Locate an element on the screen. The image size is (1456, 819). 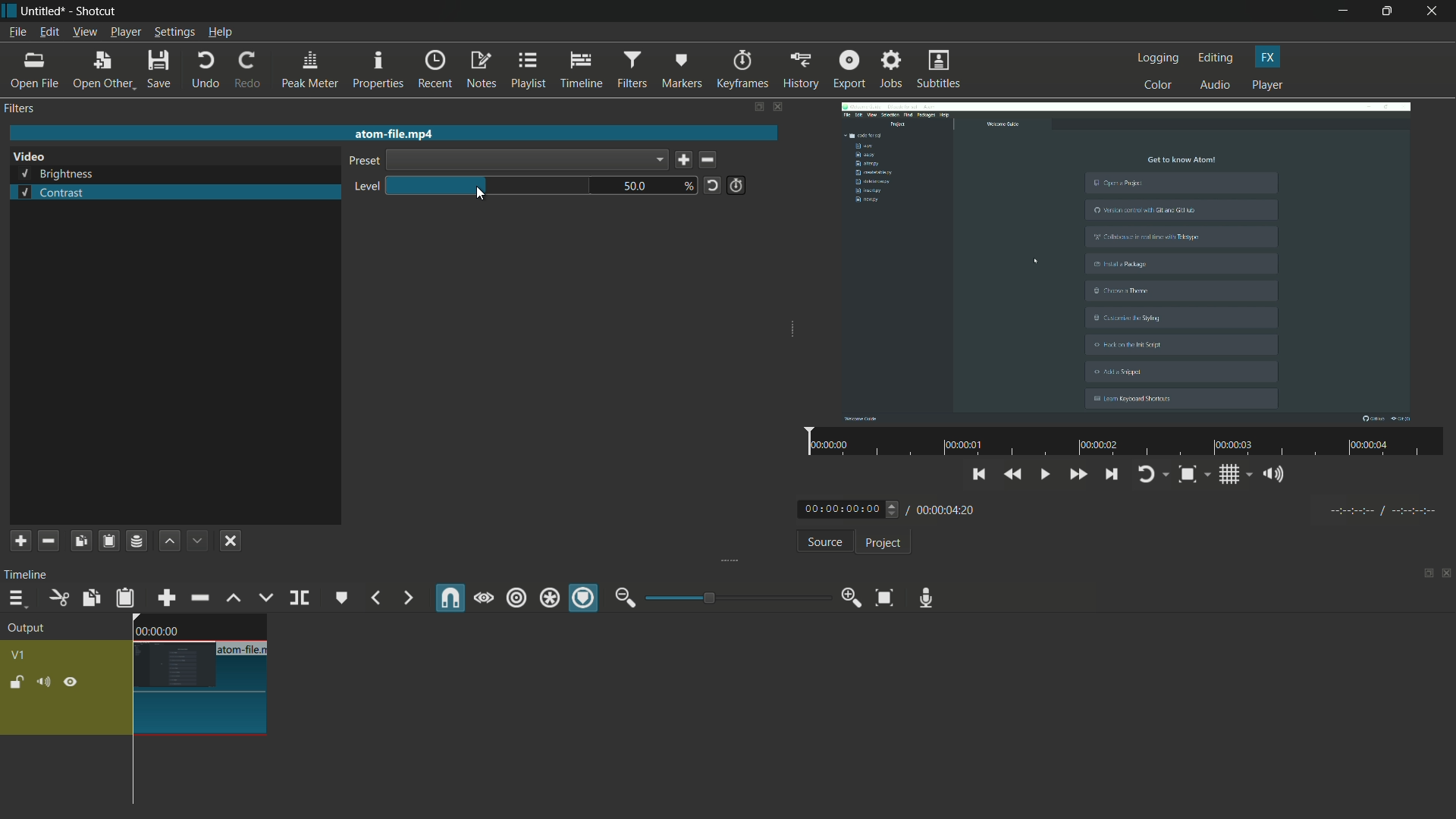
contrast is located at coordinates (51, 193).